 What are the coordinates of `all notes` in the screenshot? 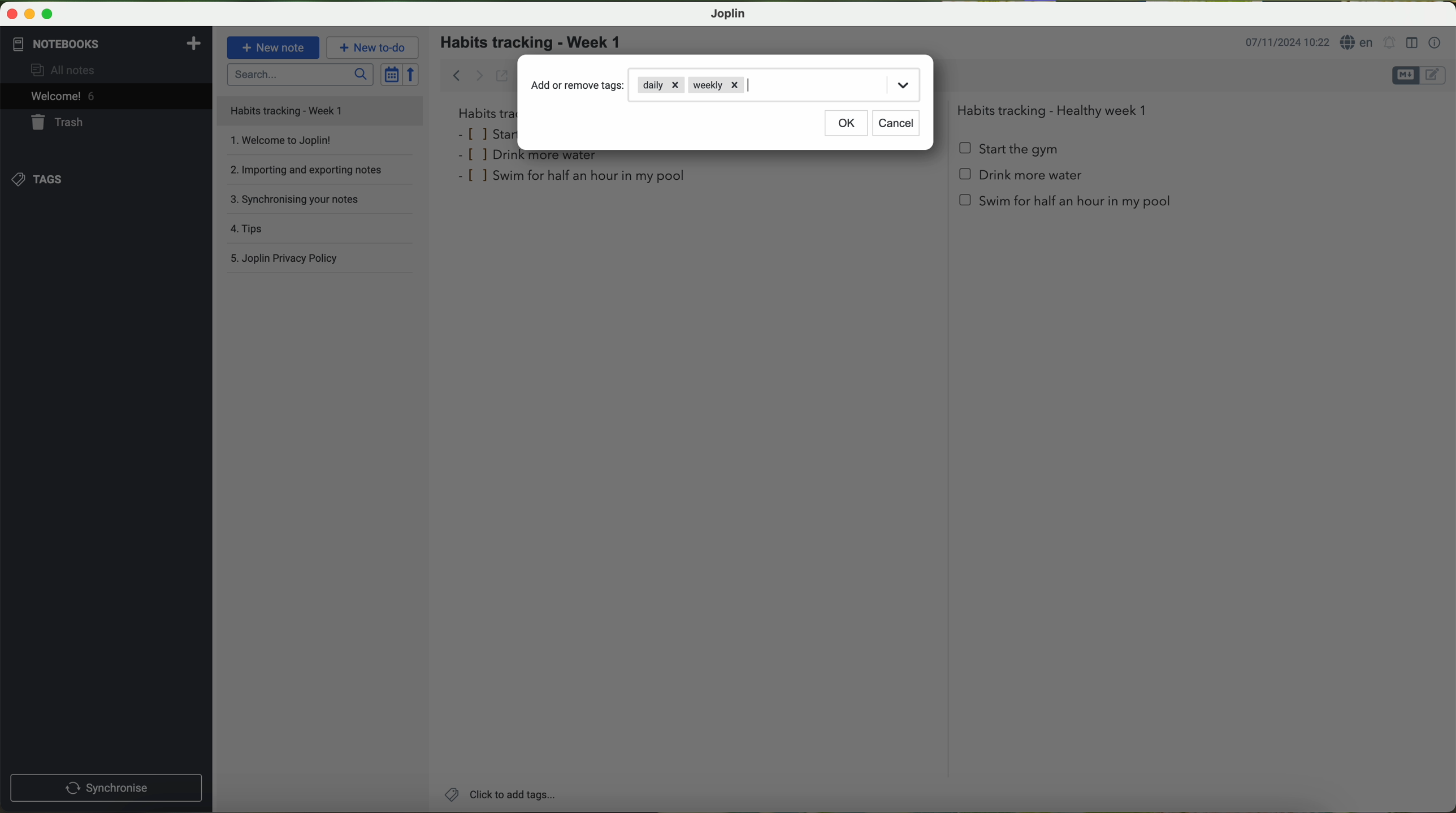 It's located at (66, 69).